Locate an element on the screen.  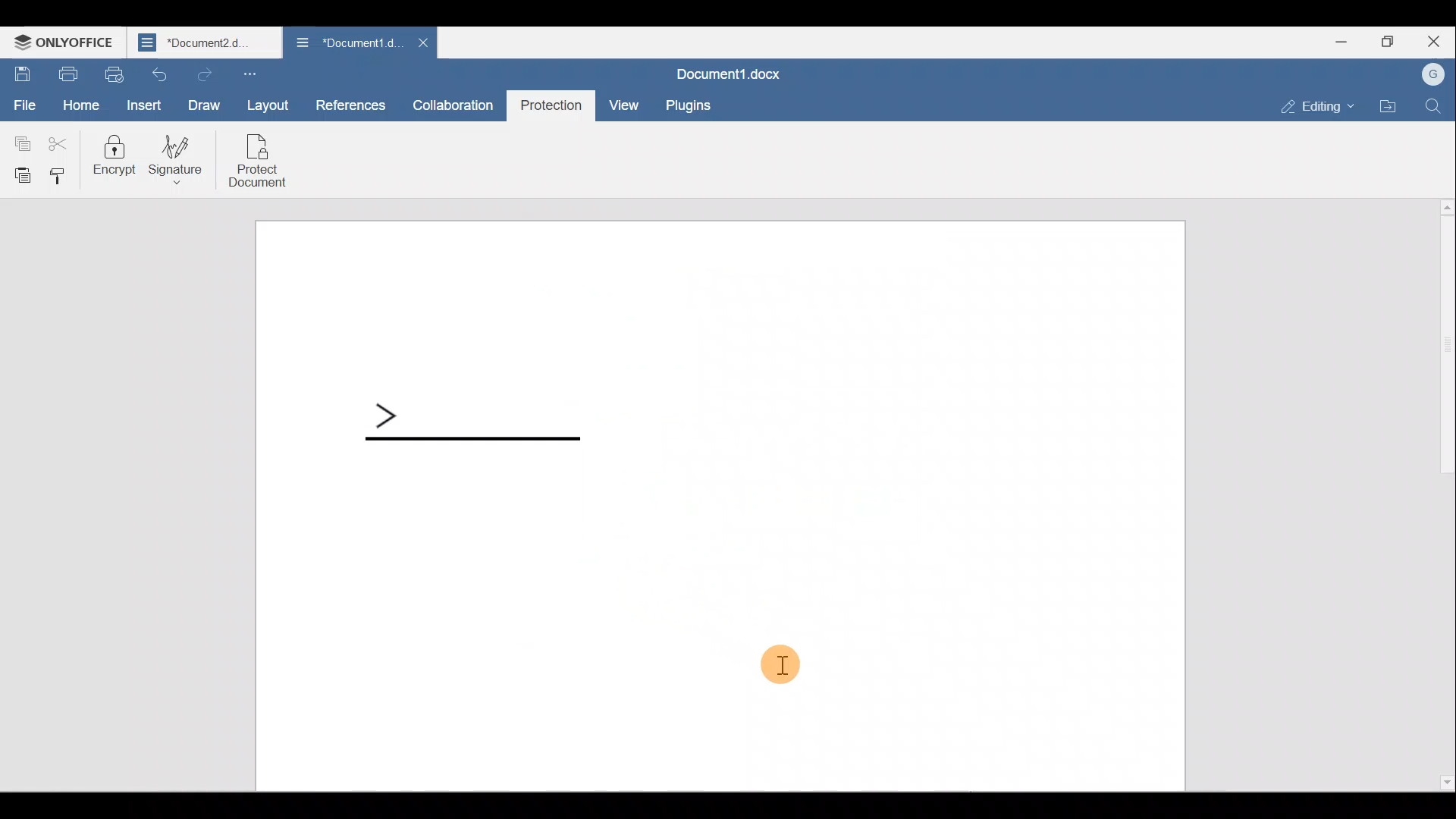
Signature is located at coordinates (182, 160).